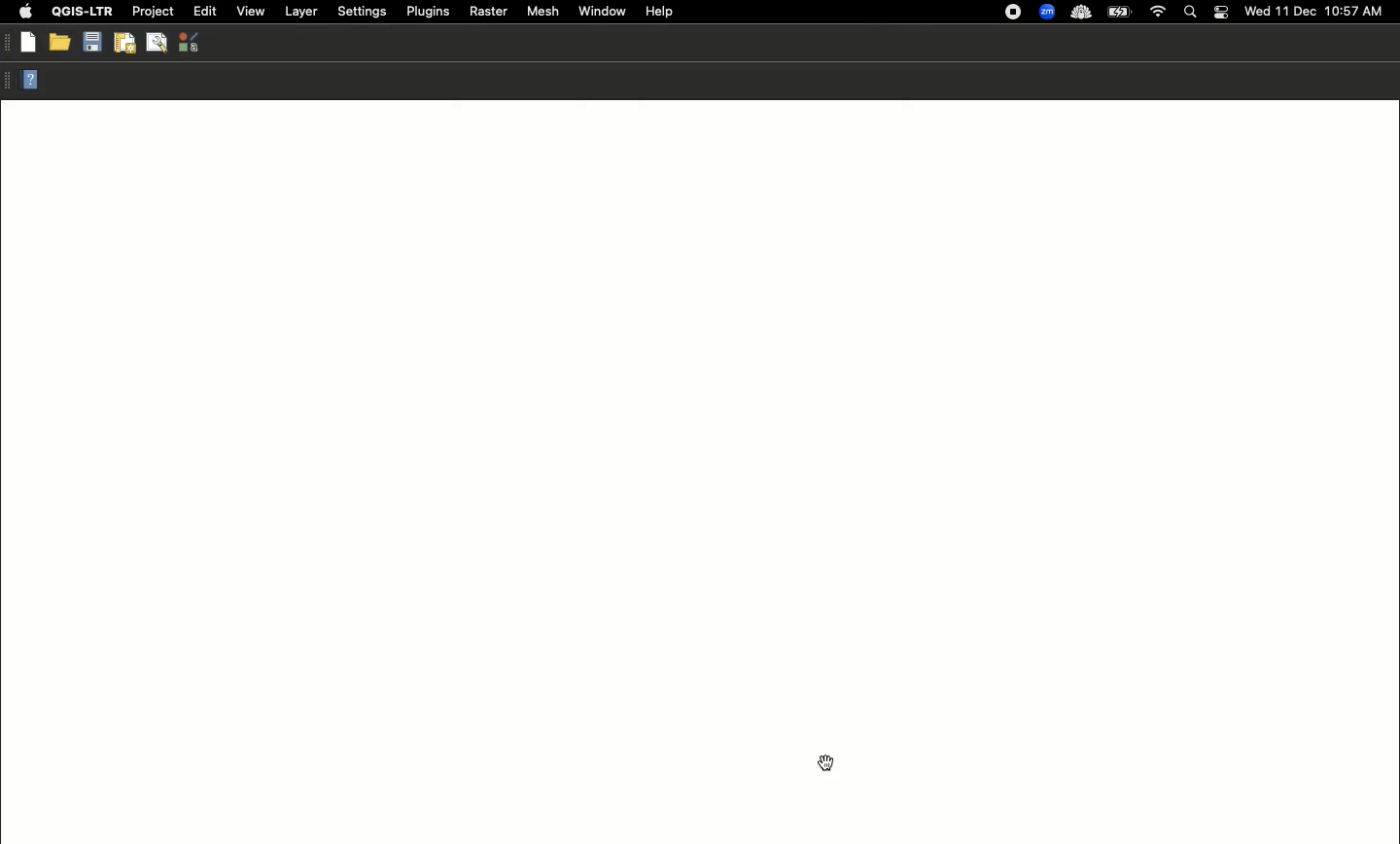 This screenshot has width=1400, height=844. Describe the element at coordinates (543, 13) in the screenshot. I see `Mesh` at that location.